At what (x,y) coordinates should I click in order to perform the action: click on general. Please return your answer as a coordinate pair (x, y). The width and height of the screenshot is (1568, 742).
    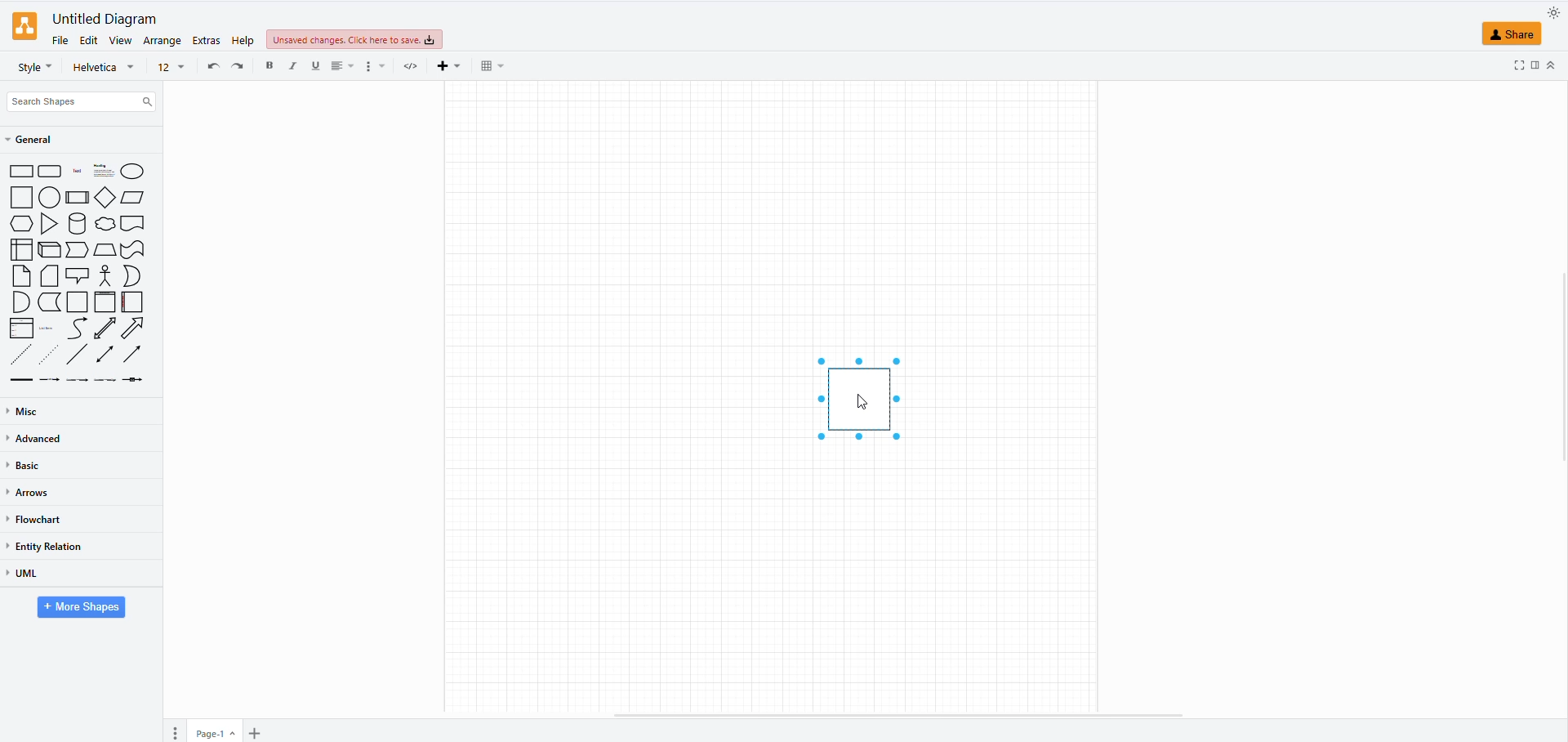
    Looking at the image, I should click on (36, 141).